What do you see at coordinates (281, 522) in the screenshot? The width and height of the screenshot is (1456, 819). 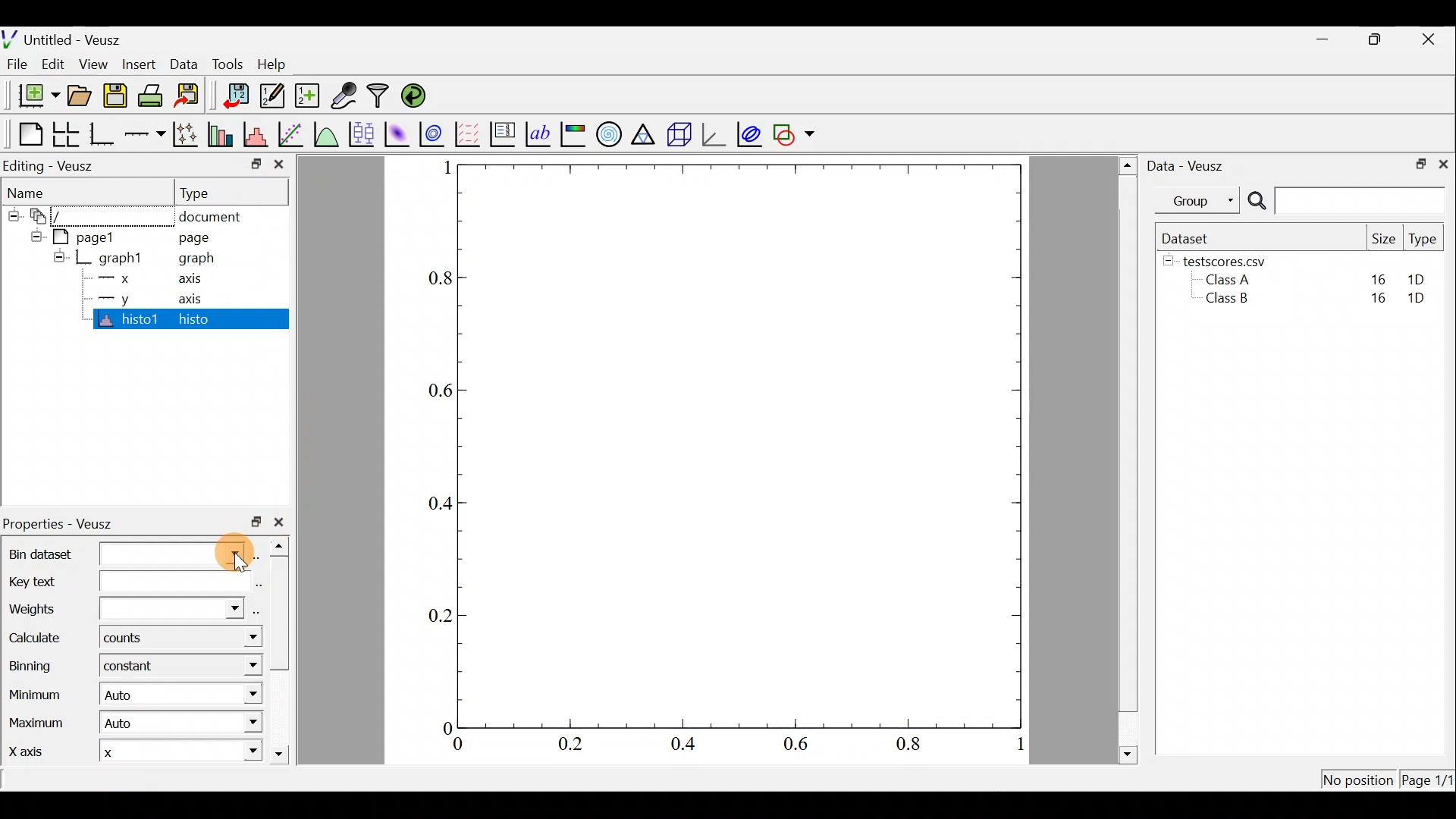 I see `close` at bounding box center [281, 522].